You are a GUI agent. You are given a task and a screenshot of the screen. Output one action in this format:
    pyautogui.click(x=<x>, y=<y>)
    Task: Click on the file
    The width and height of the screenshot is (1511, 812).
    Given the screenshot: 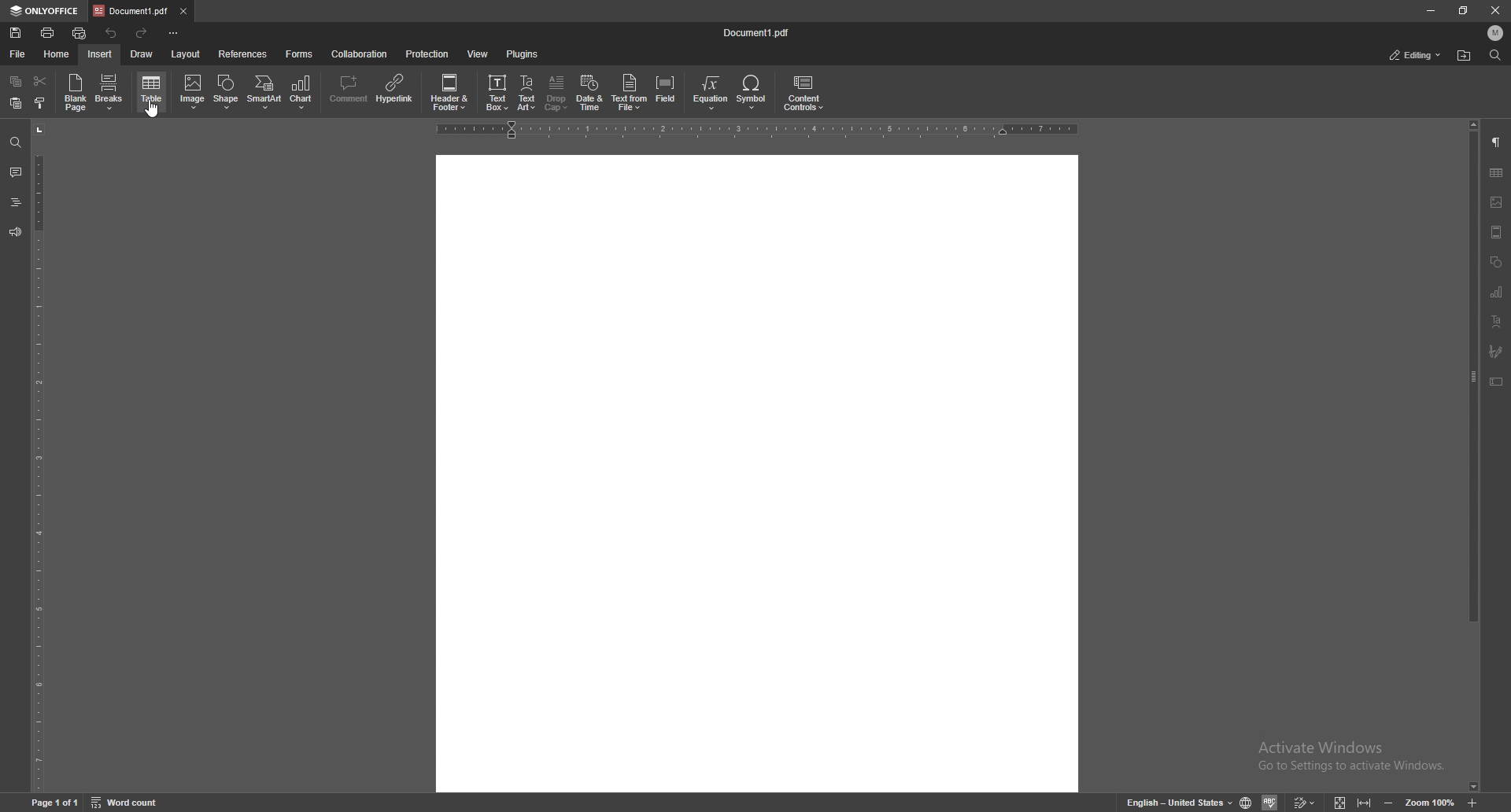 What is the action you would take?
    pyautogui.click(x=17, y=54)
    